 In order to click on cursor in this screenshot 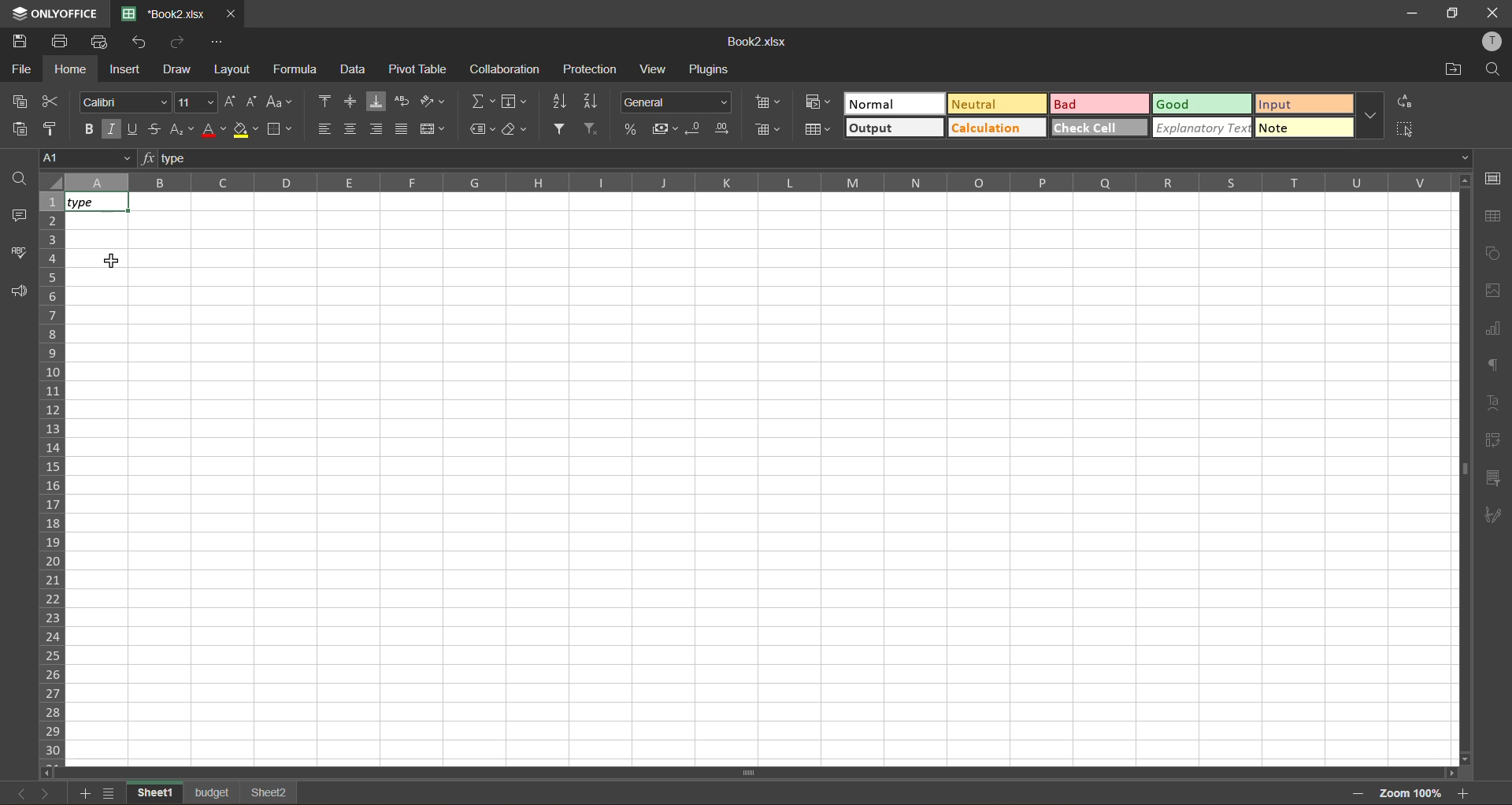, I will do `click(108, 262)`.